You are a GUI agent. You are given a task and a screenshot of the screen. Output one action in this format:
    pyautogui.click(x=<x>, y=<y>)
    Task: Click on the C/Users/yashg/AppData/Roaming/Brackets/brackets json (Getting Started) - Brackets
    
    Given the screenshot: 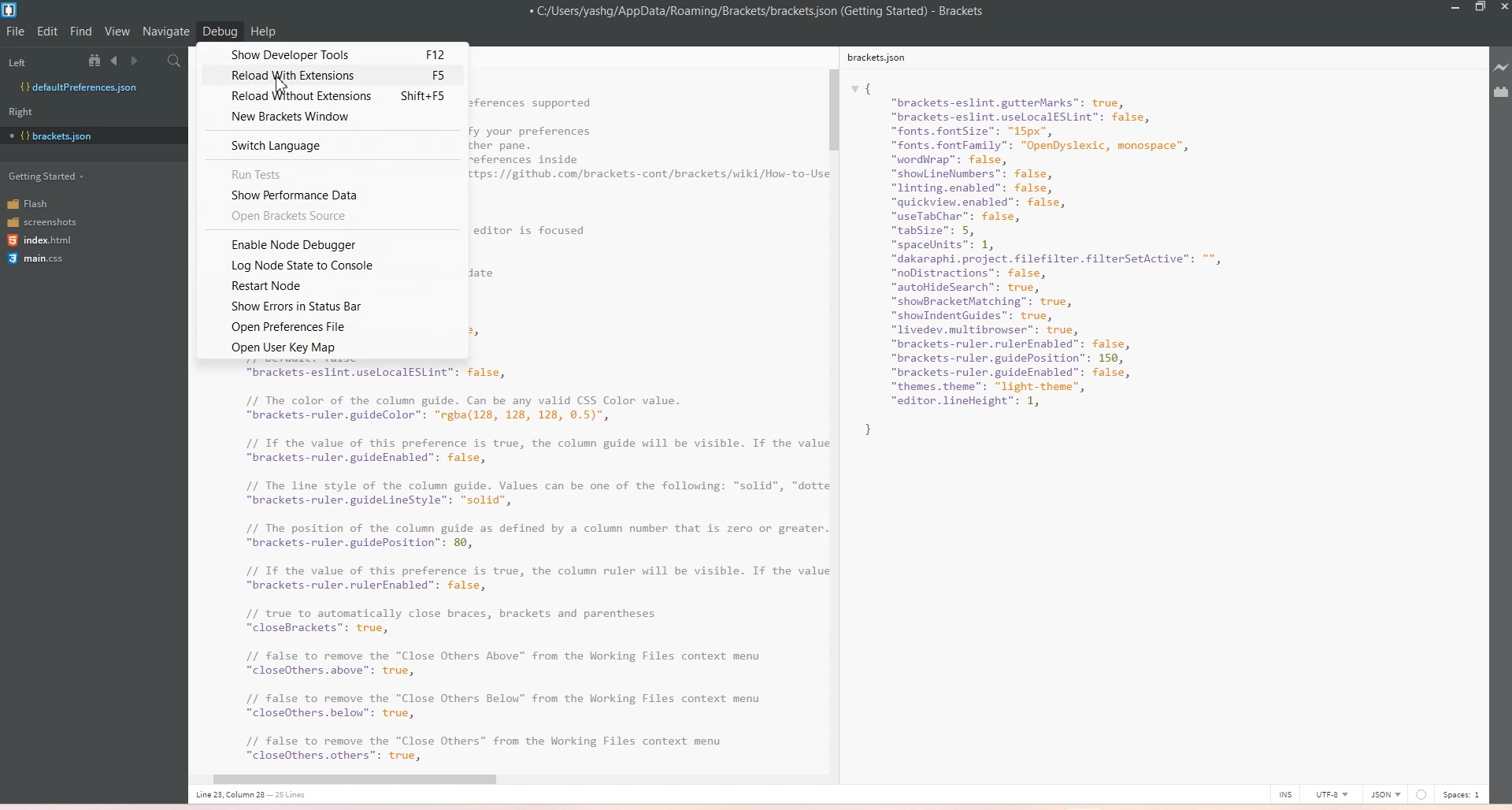 What is the action you would take?
    pyautogui.click(x=768, y=12)
    